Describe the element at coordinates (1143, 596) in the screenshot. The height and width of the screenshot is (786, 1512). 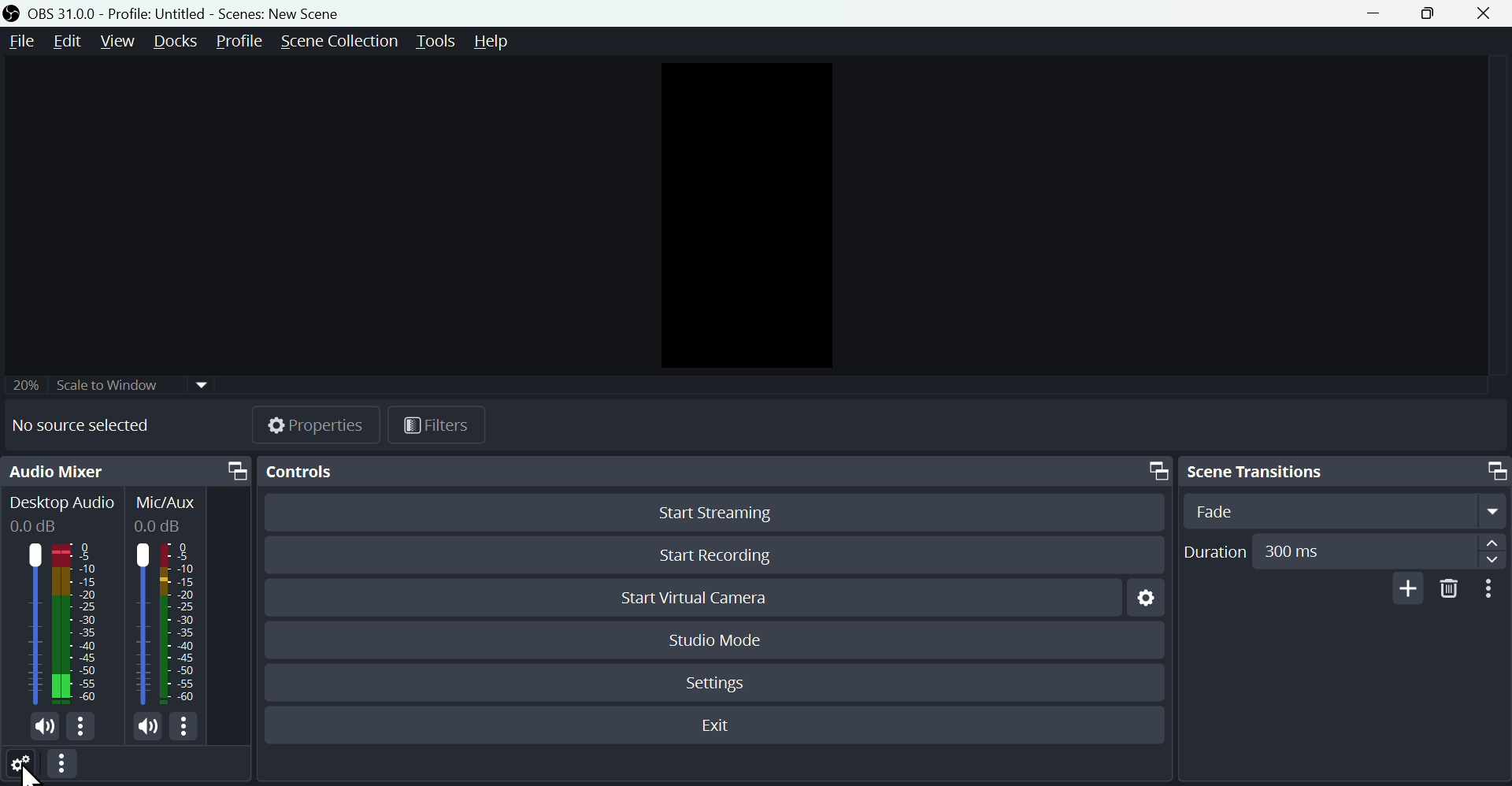
I see `Settings` at that location.